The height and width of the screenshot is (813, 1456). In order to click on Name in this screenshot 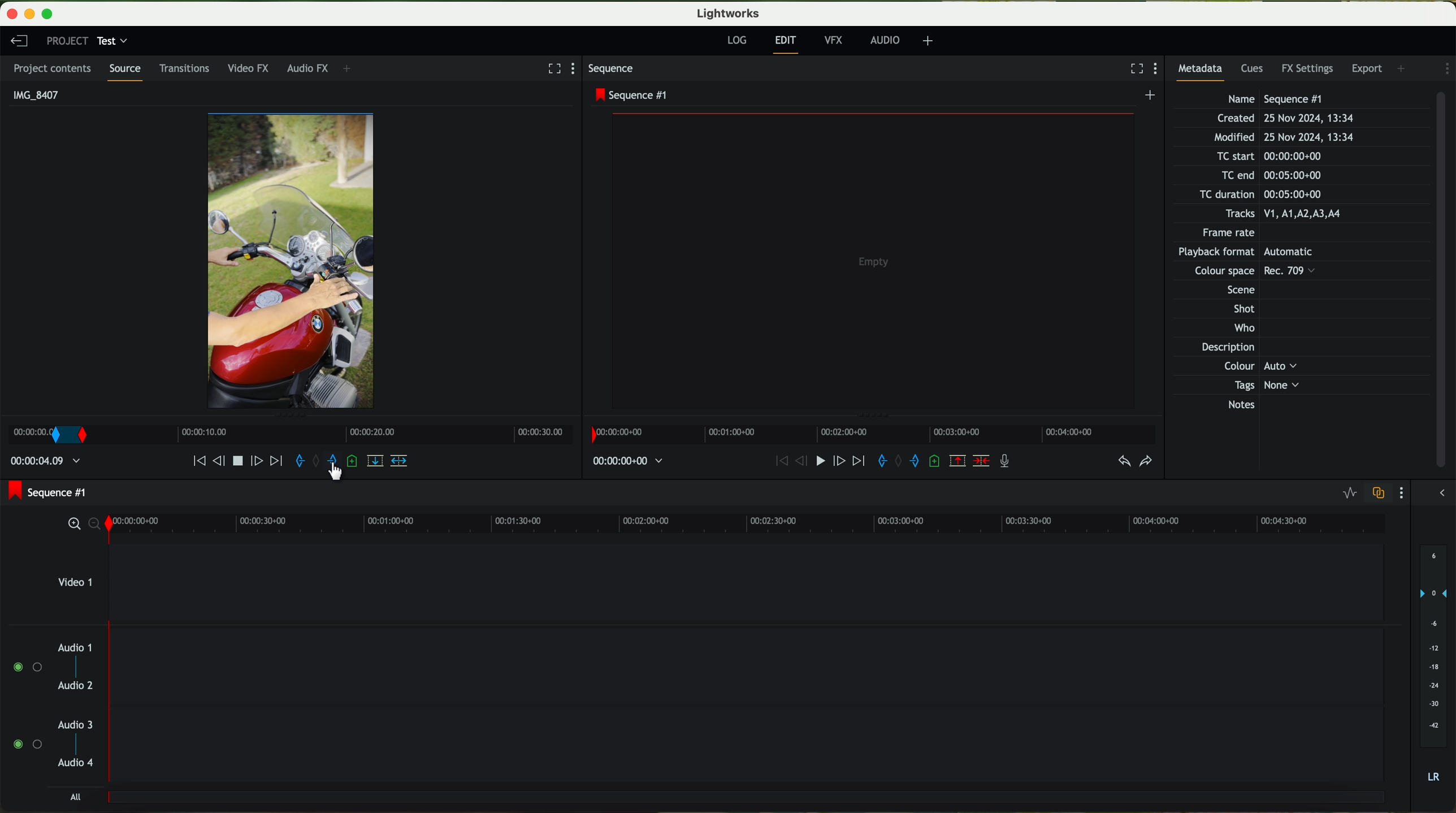, I will do `click(1278, 98)`.